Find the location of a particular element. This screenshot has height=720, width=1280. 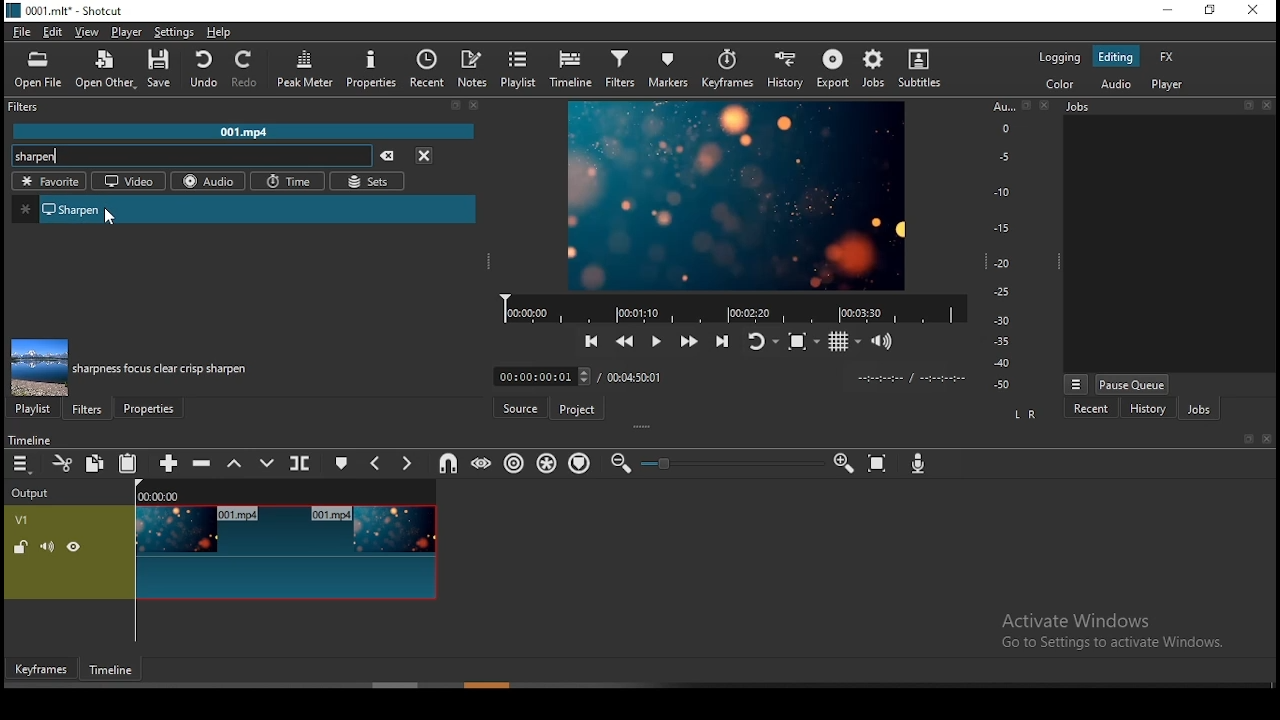

save is located at coordinates (165, 72).